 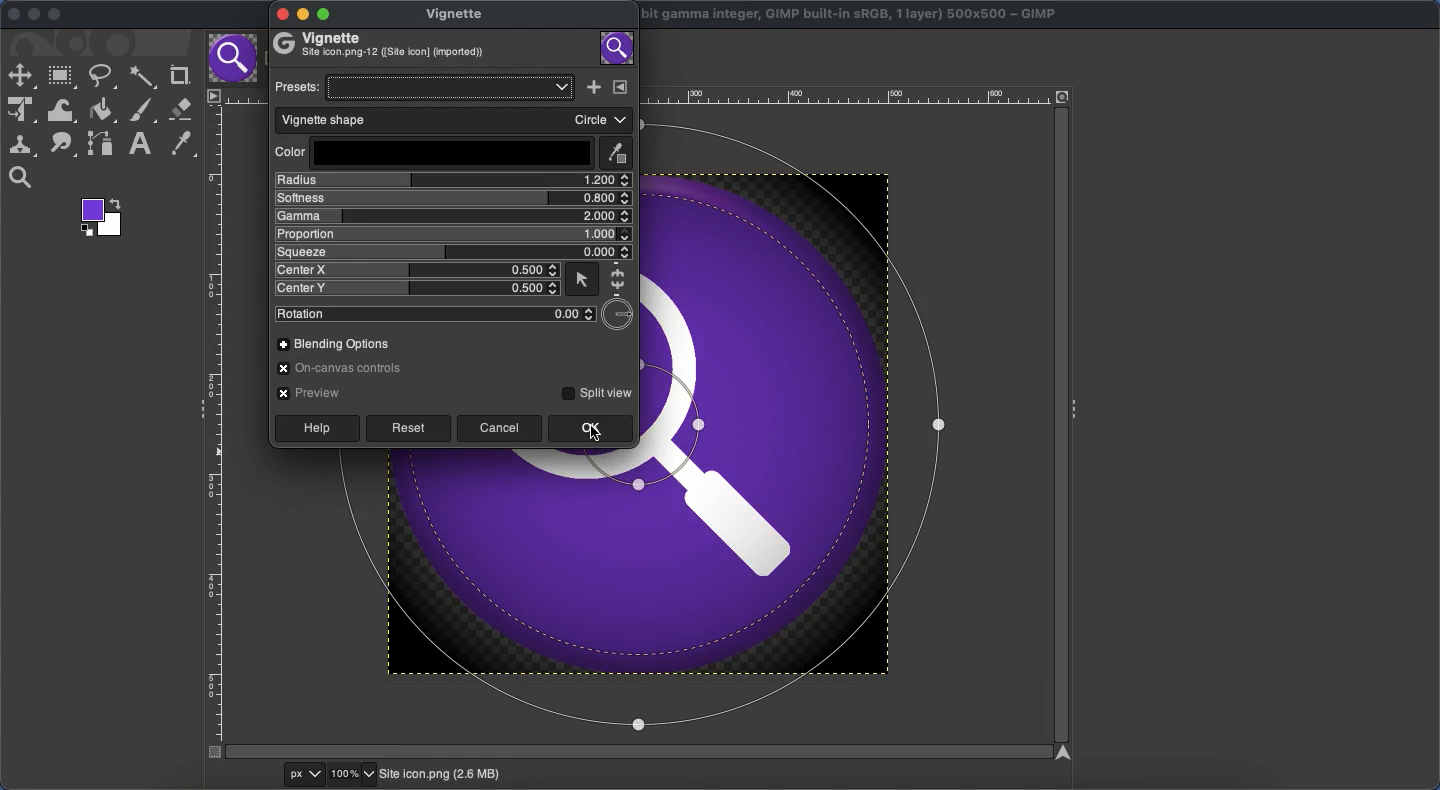 I want to click on Crop, so click(x=177, y=76).